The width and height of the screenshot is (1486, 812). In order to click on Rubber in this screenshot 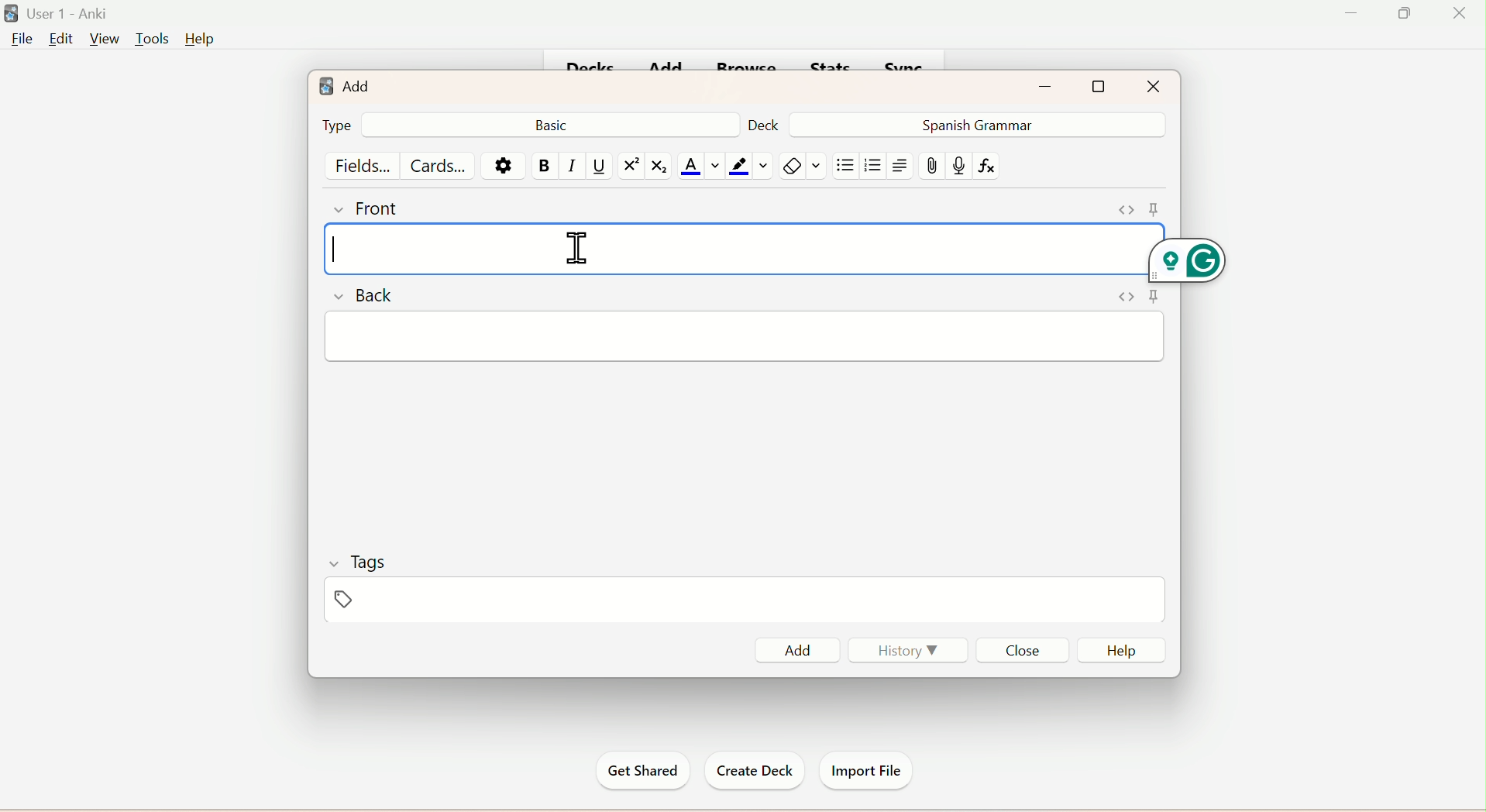, I will do `click(805, 167)`.